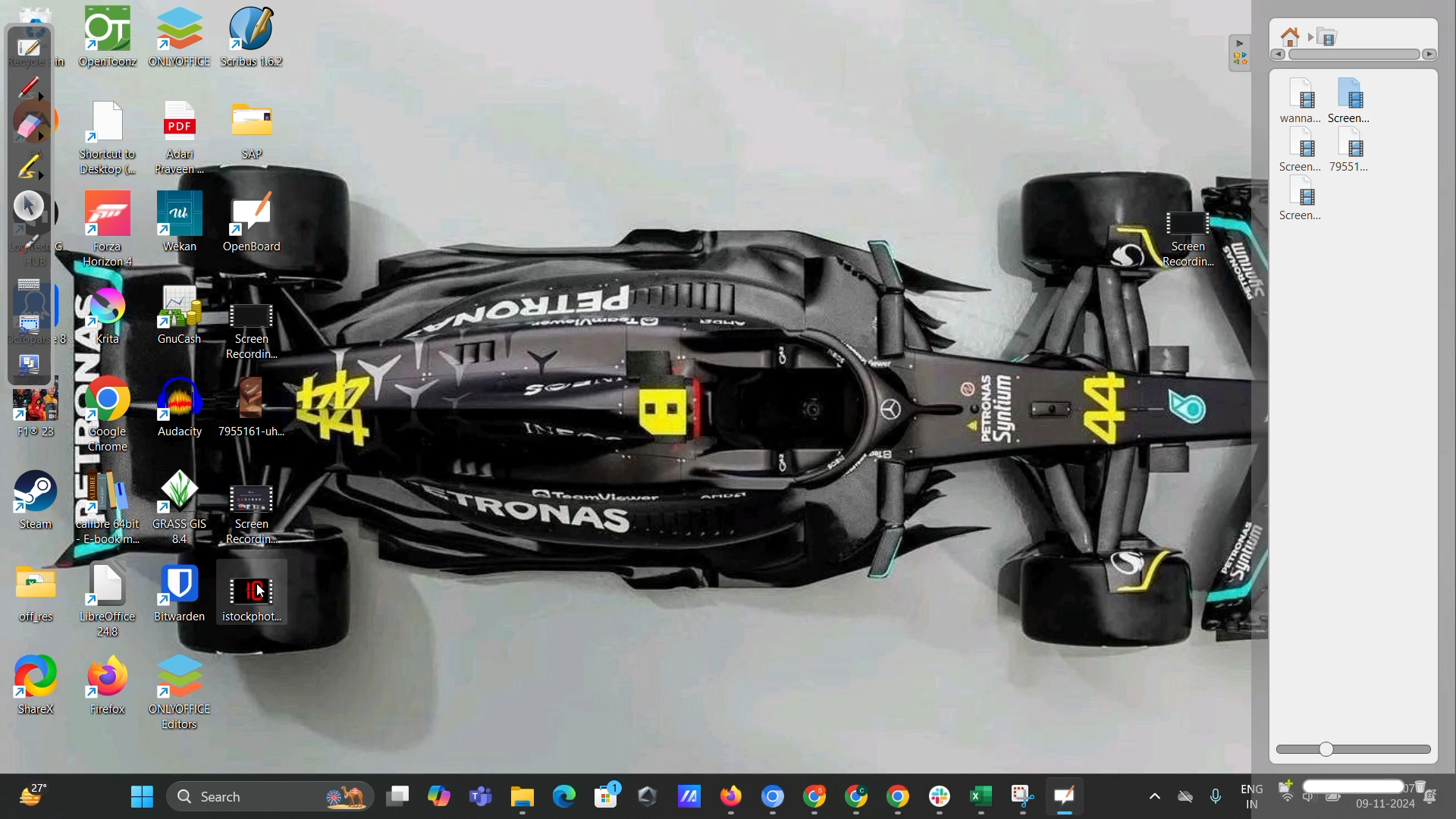 This screenshot has width=1456, height=819. What do you see at coordinates (185, 597) in the screenshot?
I see `Bitwarden` at bounding box center [185, 597].